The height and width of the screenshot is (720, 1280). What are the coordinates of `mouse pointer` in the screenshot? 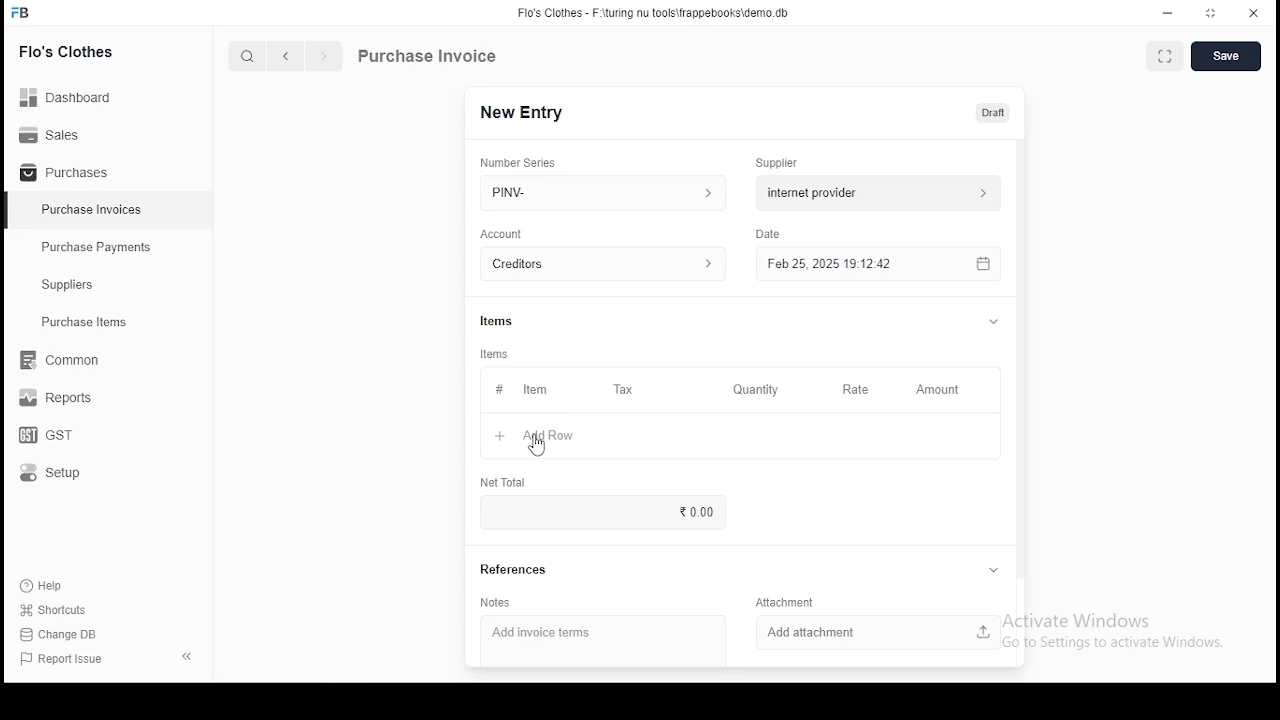 It's located at (539, 447).